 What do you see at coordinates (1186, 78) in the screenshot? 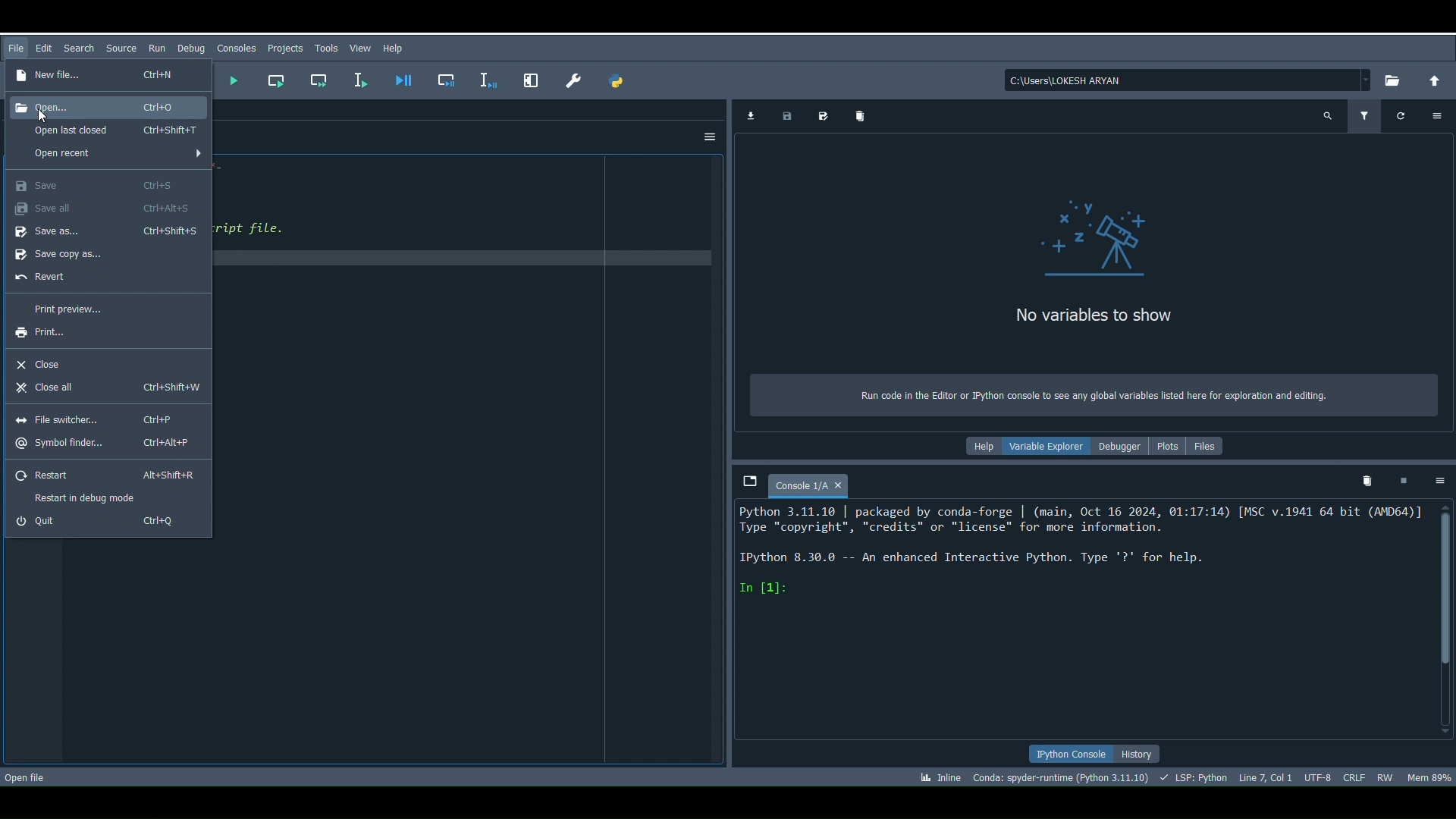
I see `C:\Users\LOKESH ARYAN` at bounding box center [1186, 78].